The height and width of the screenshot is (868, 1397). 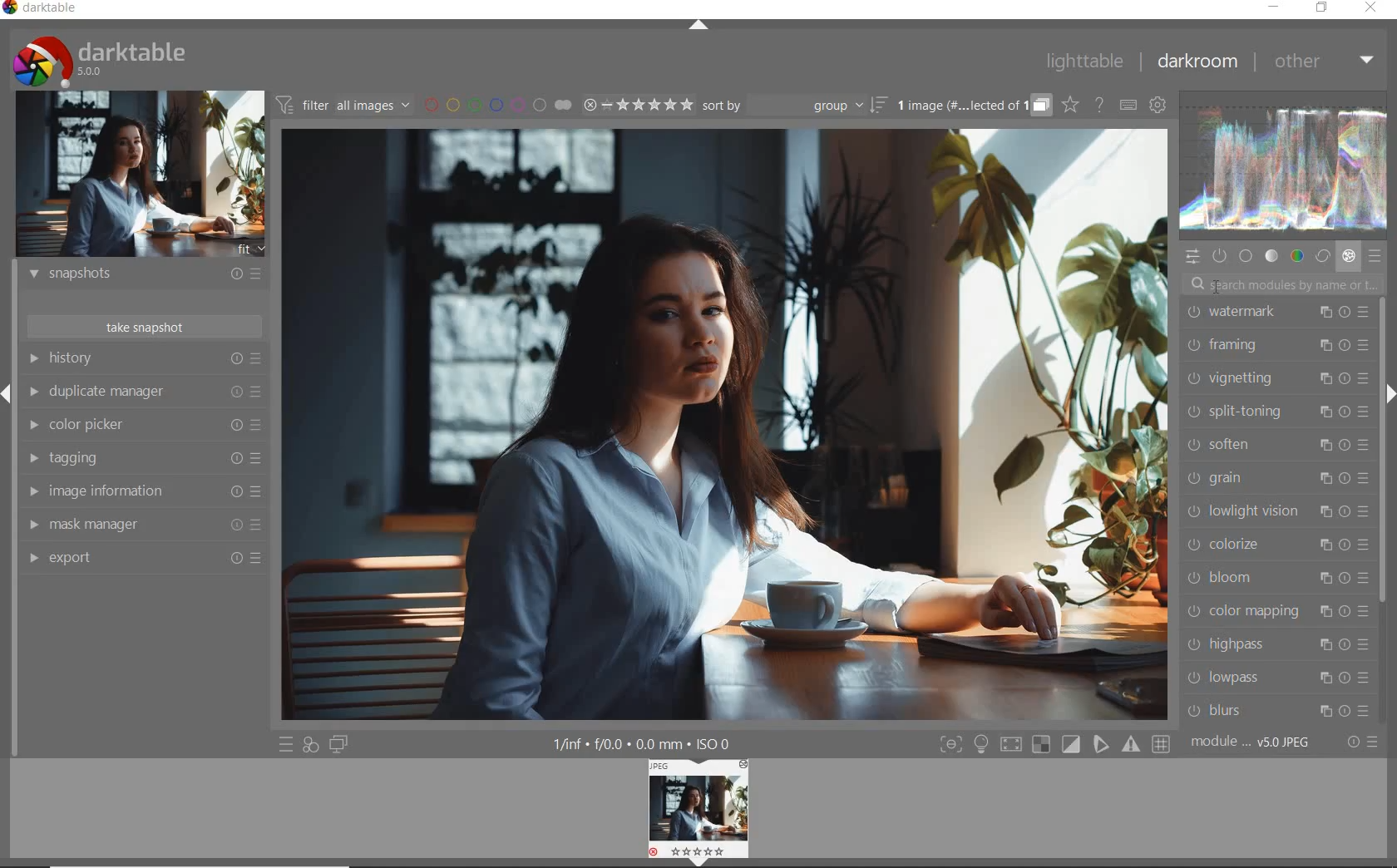 I want to click on system logo, so click(x=101, y=61).